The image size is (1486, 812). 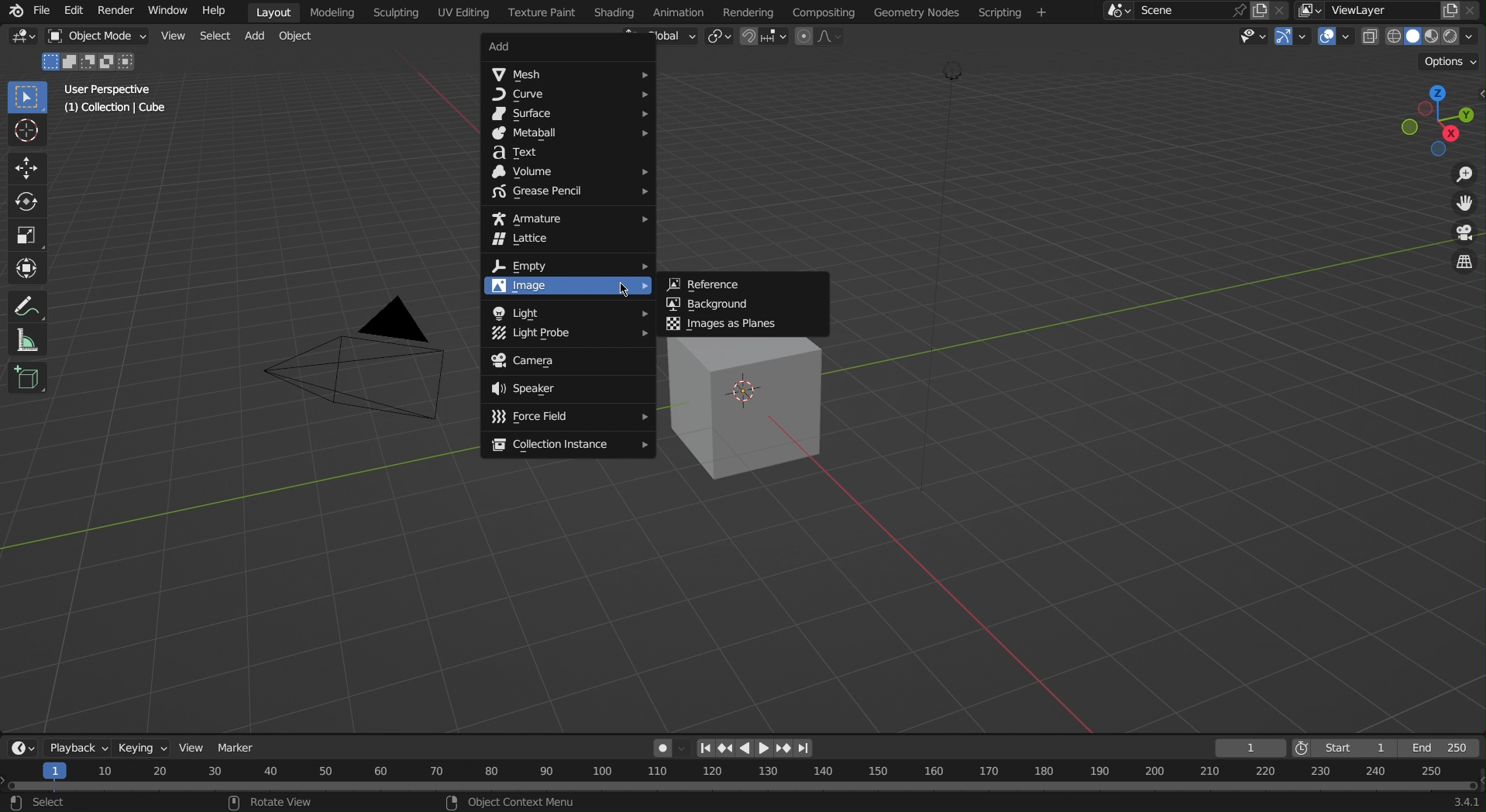 What do you see at coordinates (1464, 206) in the screenshot?
I see `Move View` at bounding box center [1464, 206].